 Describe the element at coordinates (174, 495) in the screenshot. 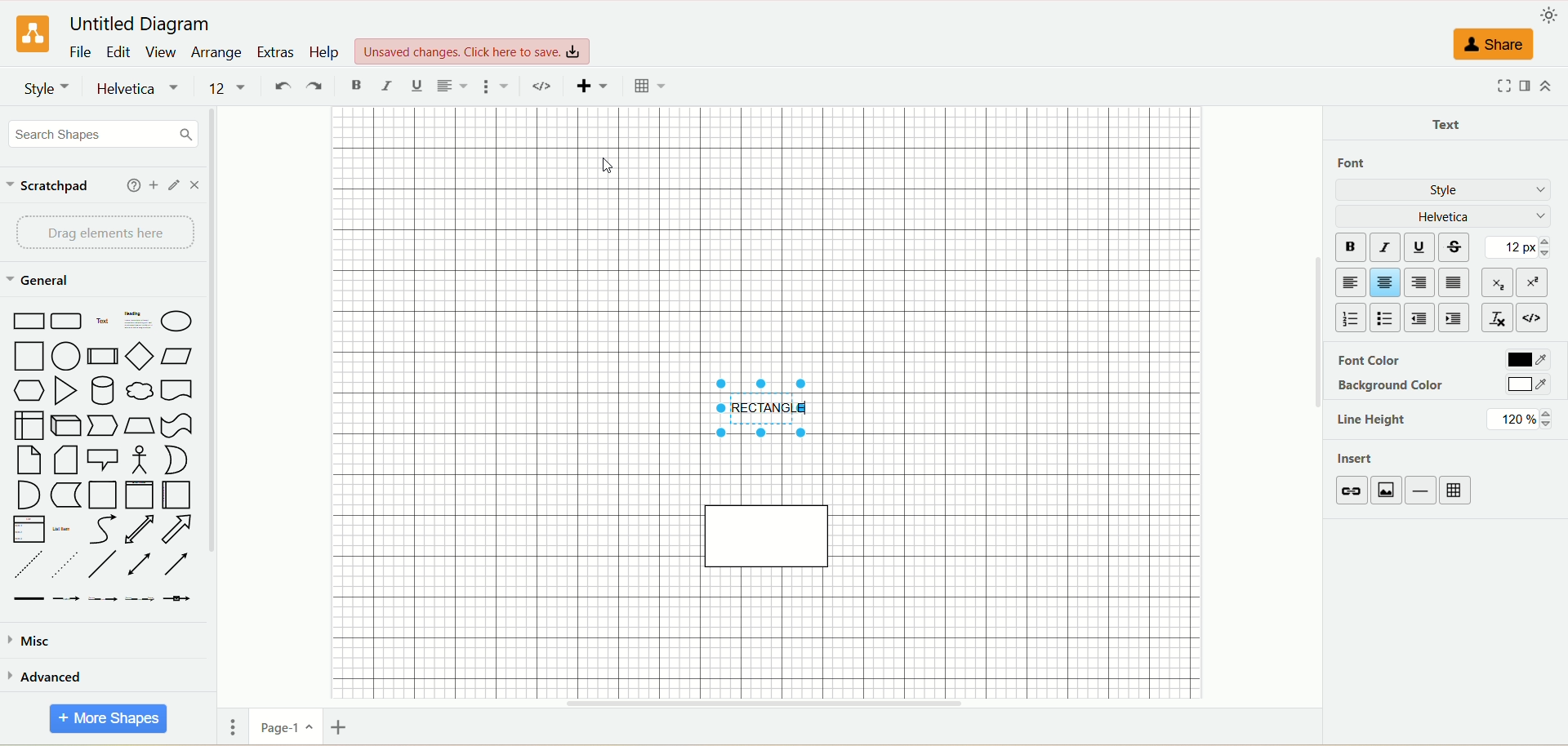

I see `horizontal container` at that location.